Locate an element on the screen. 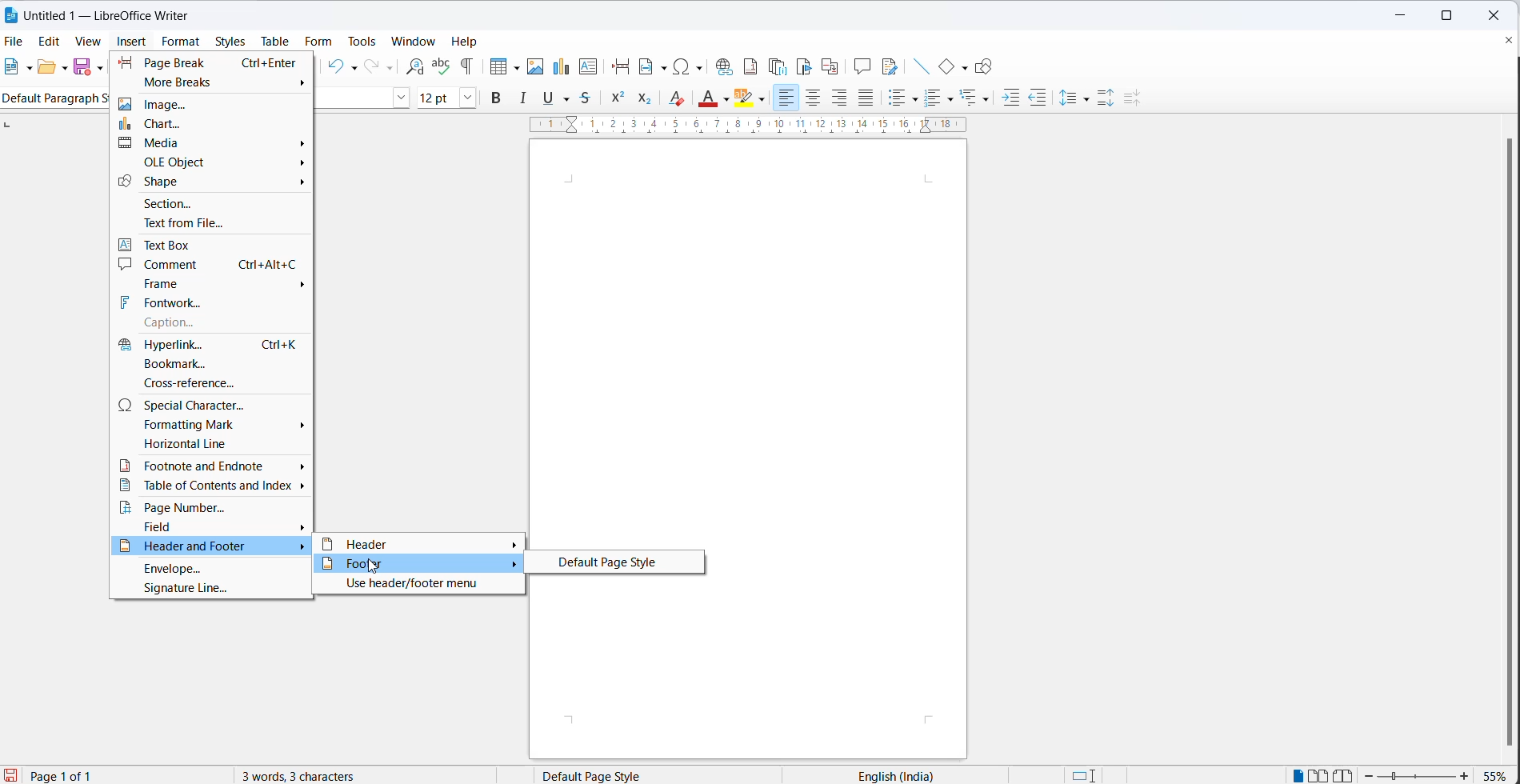  show draw functions is located at coordinates (990, 66).